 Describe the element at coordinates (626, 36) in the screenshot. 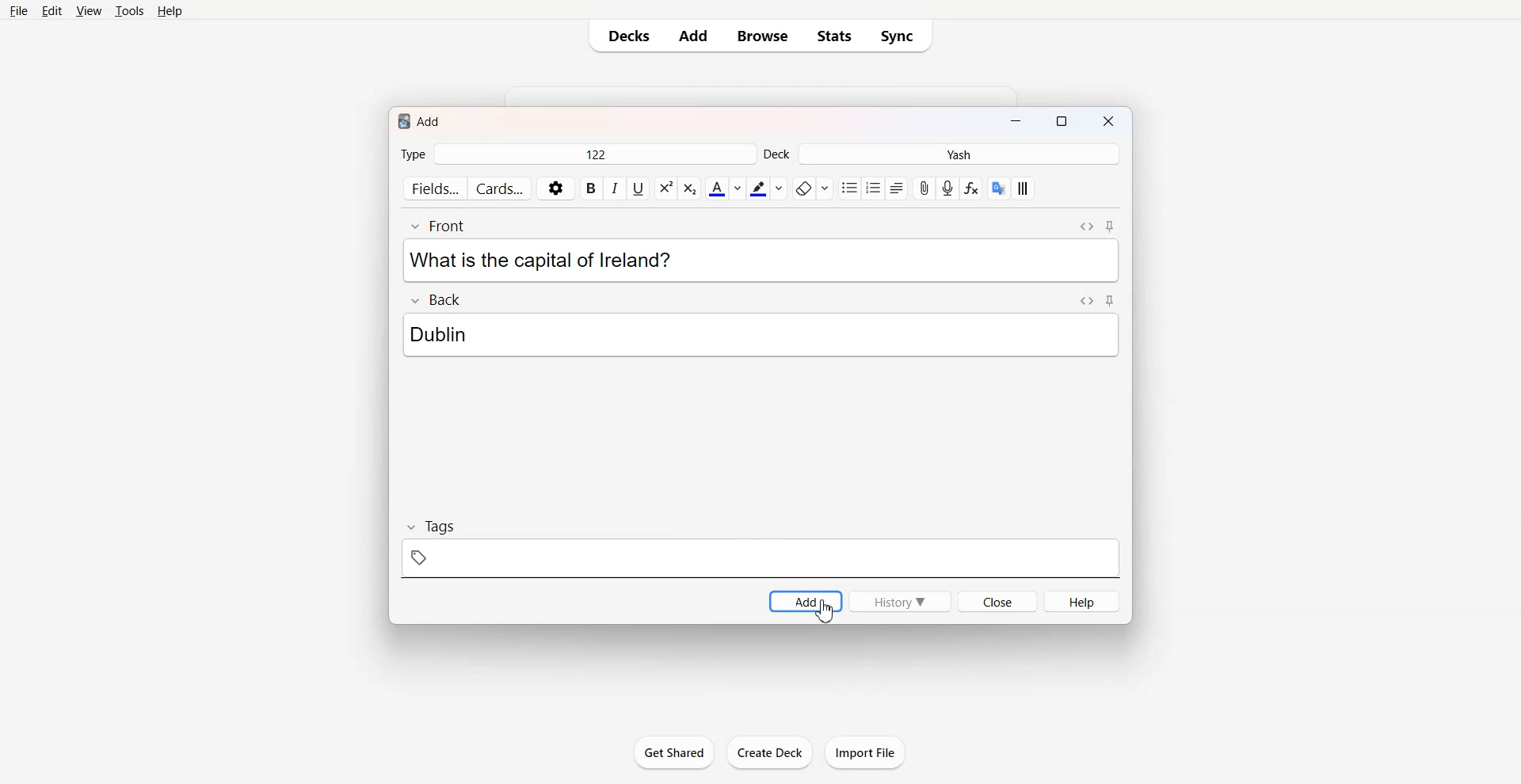

I see `Decks` at that location.